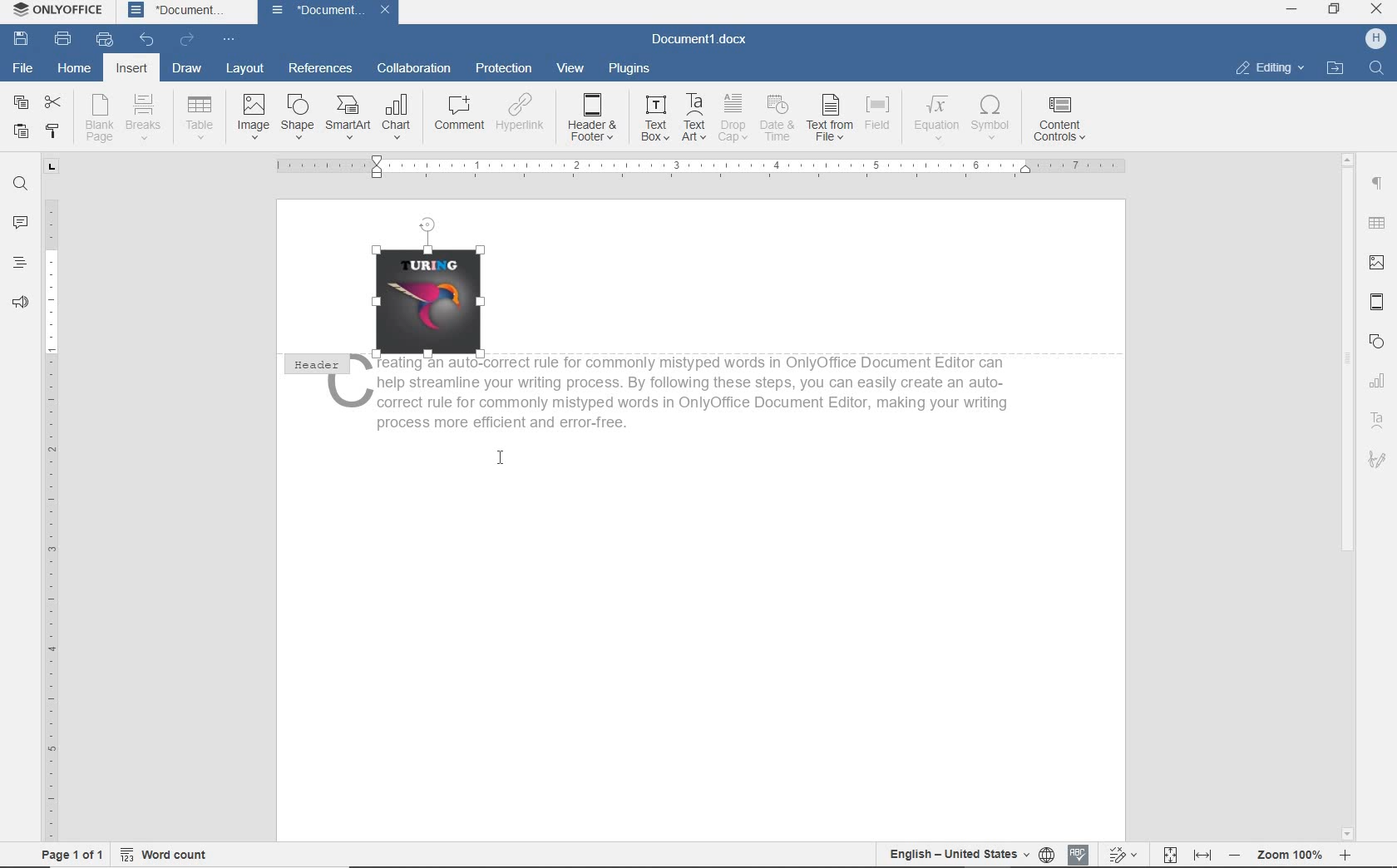 The height and width of the screenshot is (868, 1397). Describe the element at coordinates (1168, 854) in the screenshot. I see `Fit to page` at that location.